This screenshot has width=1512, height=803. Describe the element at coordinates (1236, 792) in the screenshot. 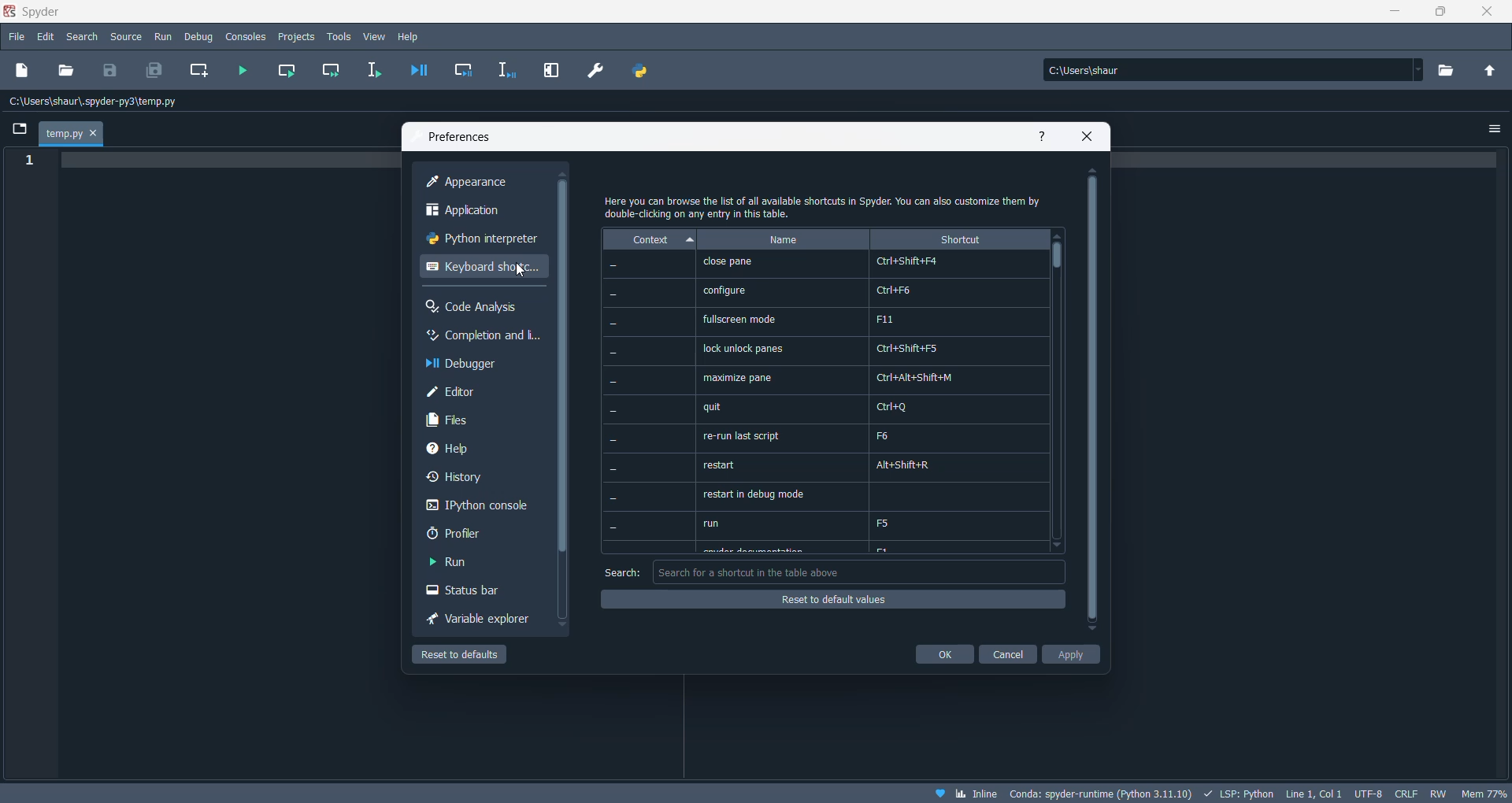

I see `script` at that location.